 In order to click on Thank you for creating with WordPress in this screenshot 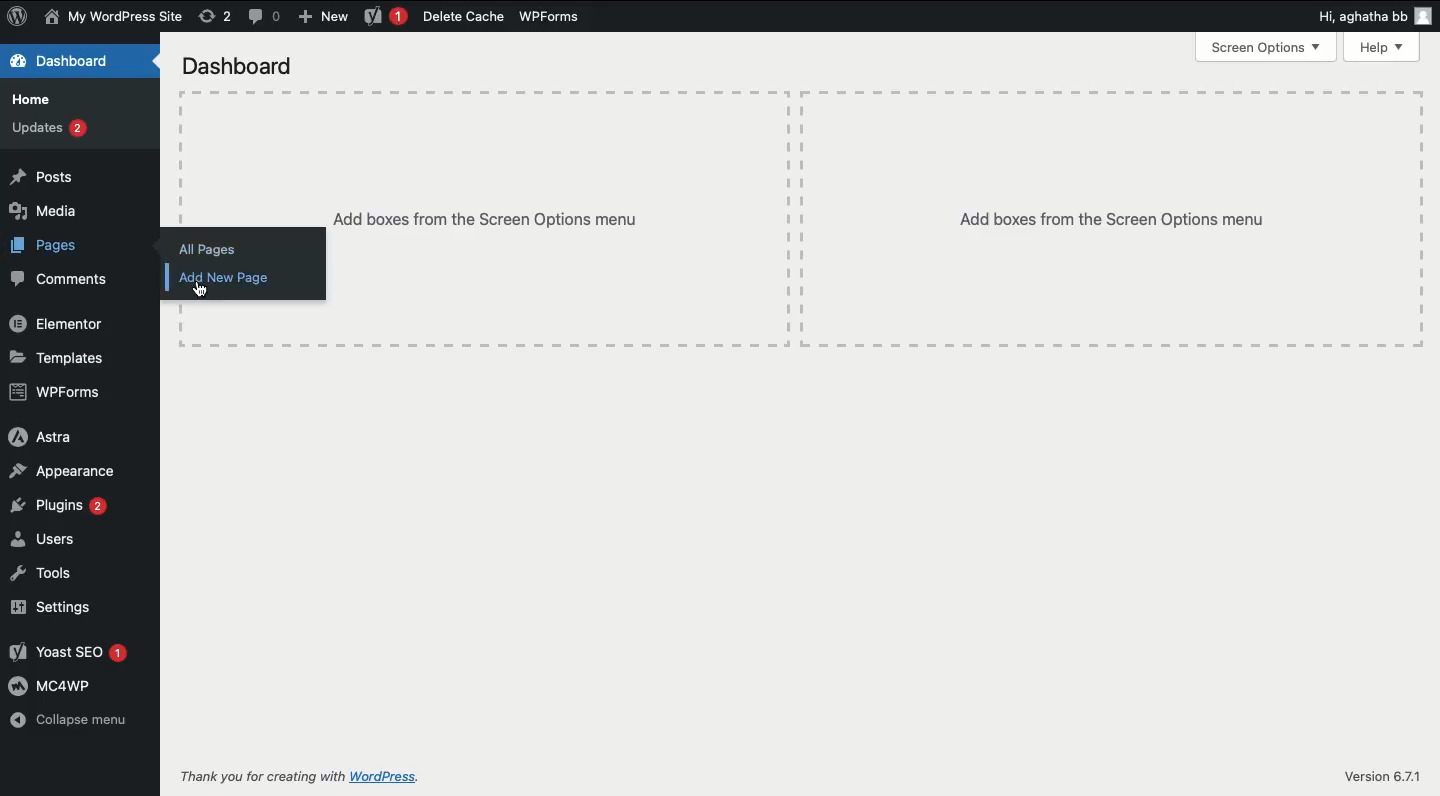, I will do `click(310, 779)`.